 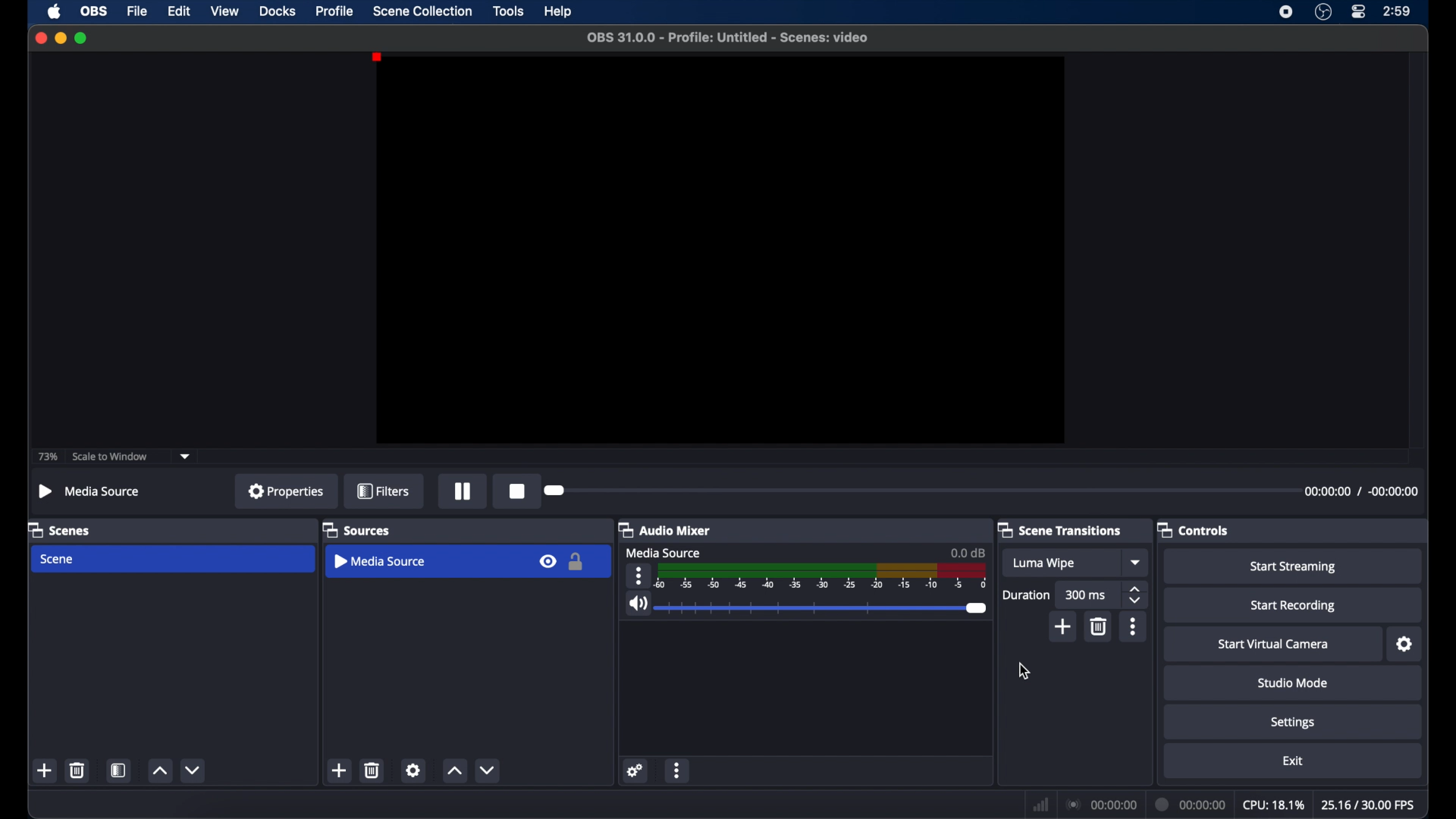 What do you see at coordinates (422, 11) in the screenshot?
I see `scene collection` at bounding box center [422, 11].